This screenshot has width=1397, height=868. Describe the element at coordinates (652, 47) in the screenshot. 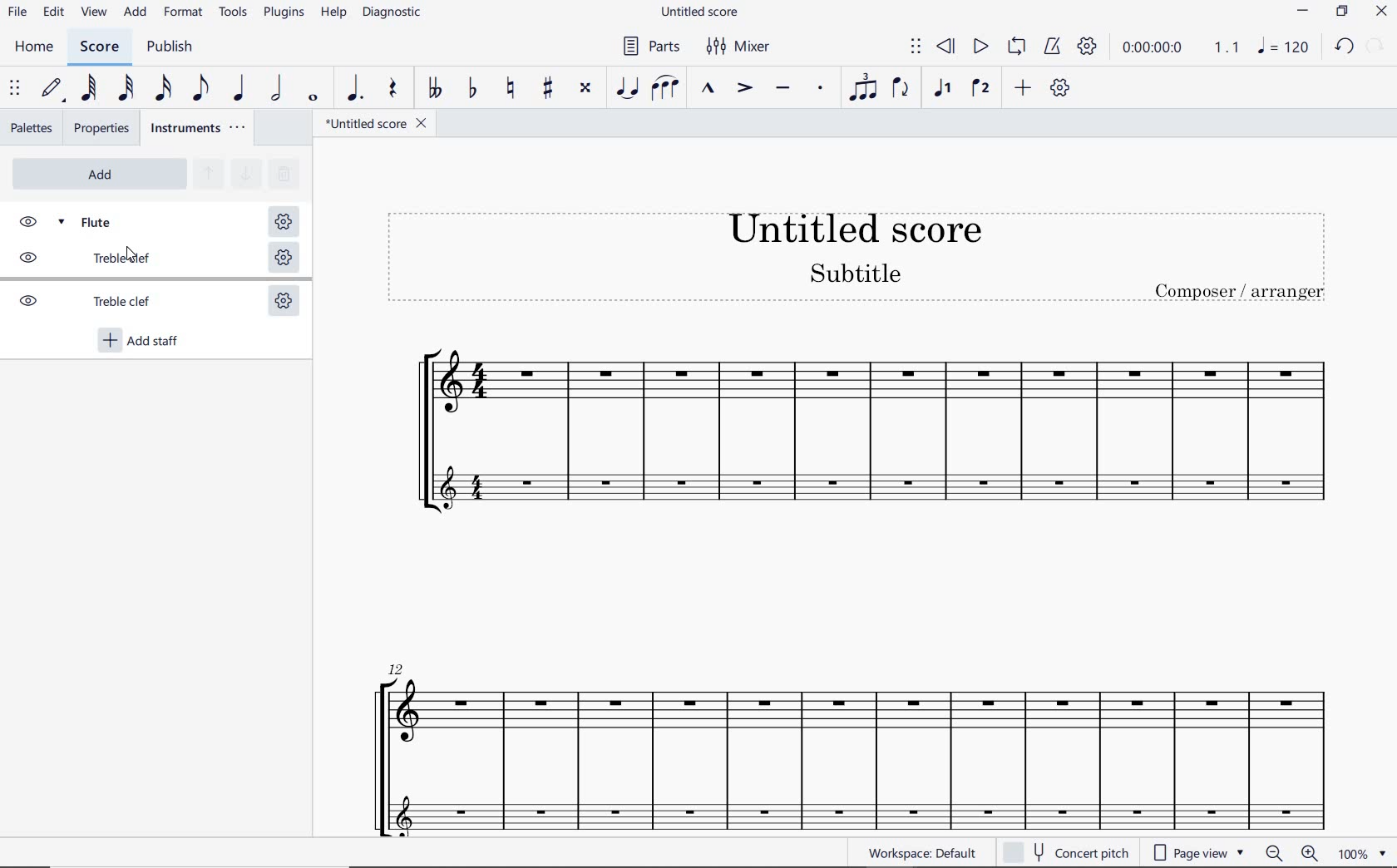

I see `PARTS` at that location.